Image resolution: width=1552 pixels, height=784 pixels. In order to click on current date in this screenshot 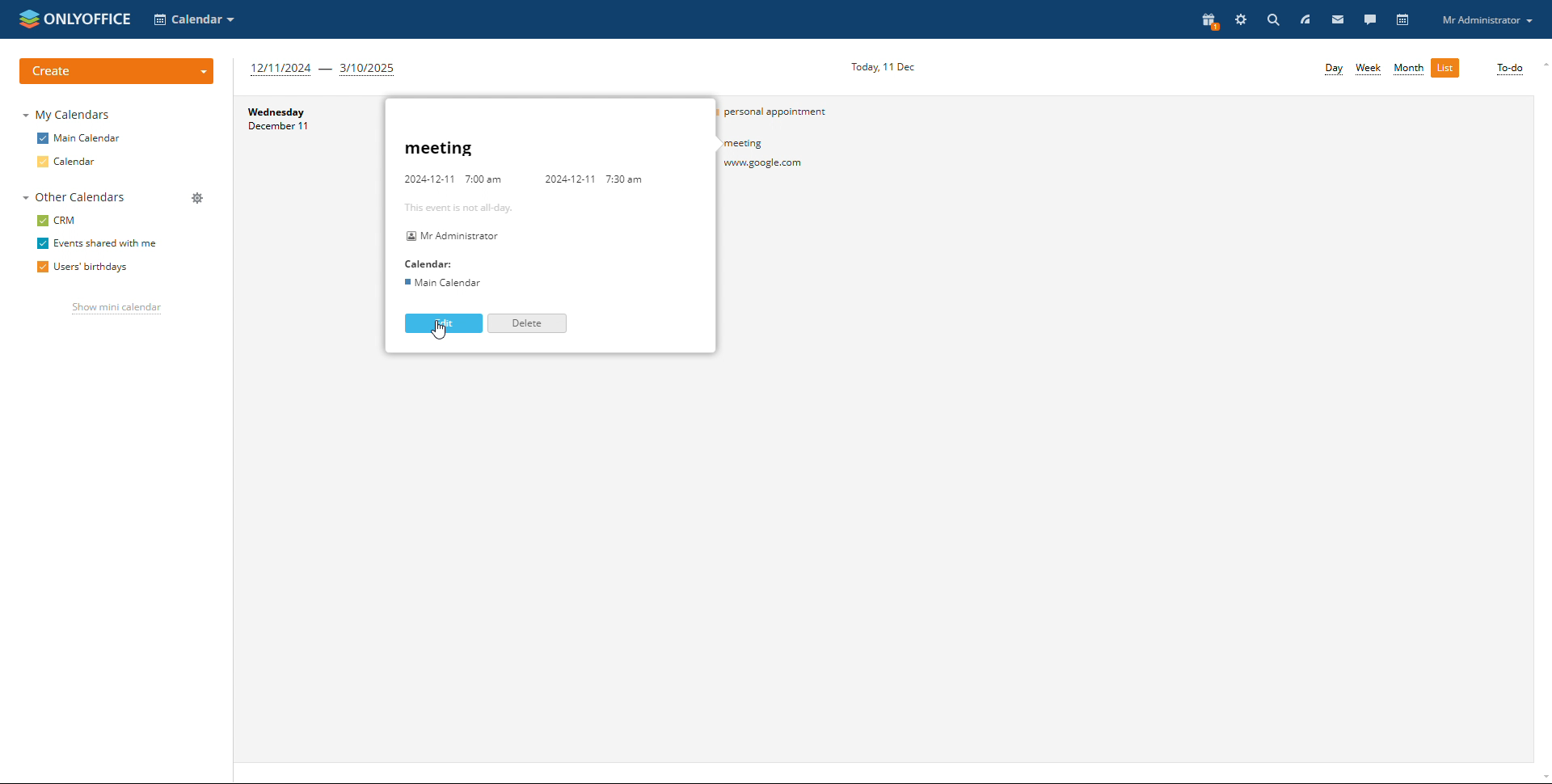, I will do `click(881, 68)`.